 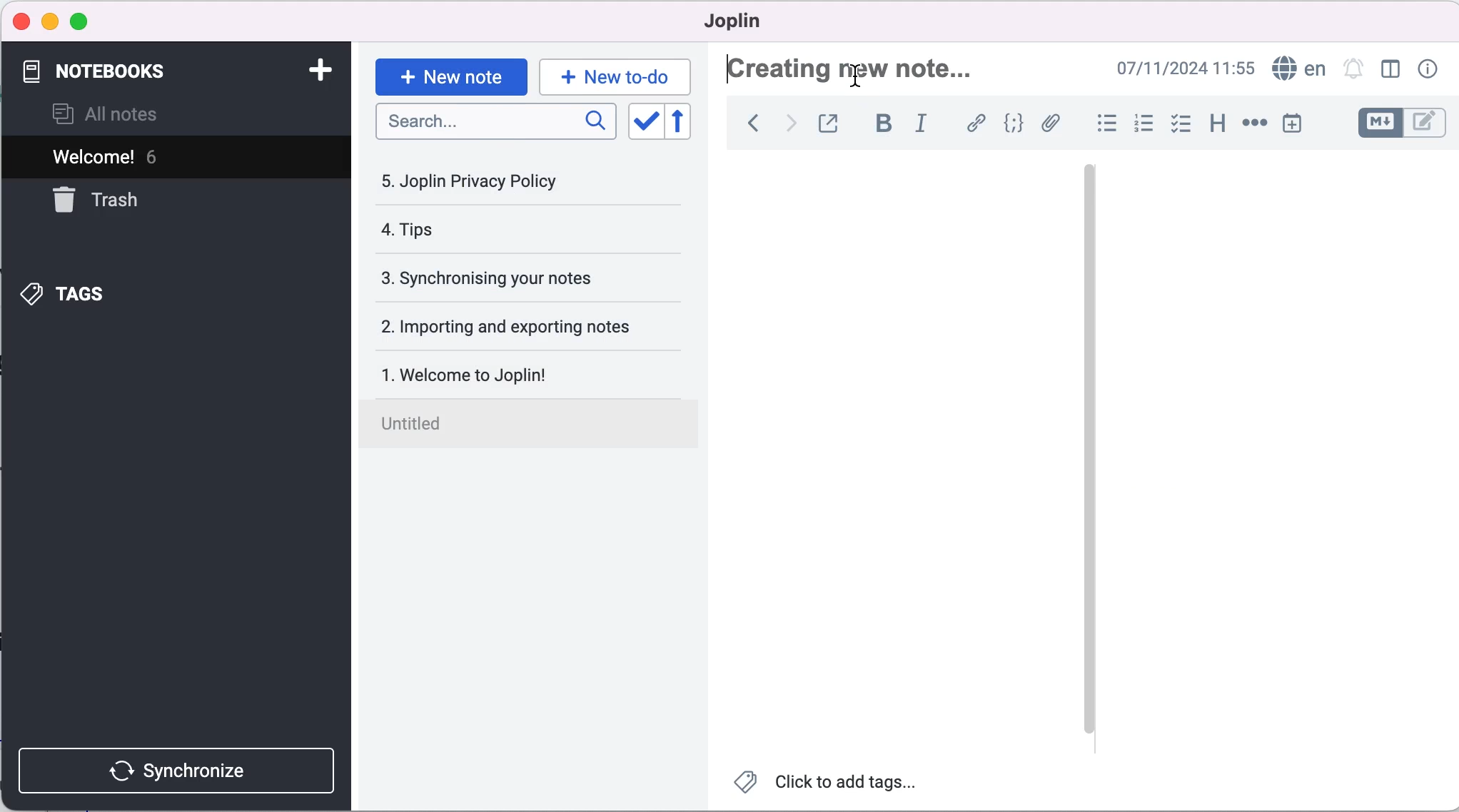 What do you see at coordinates (20, 21) in the screenshot?
I see `close` at bounding box center [20, 21].